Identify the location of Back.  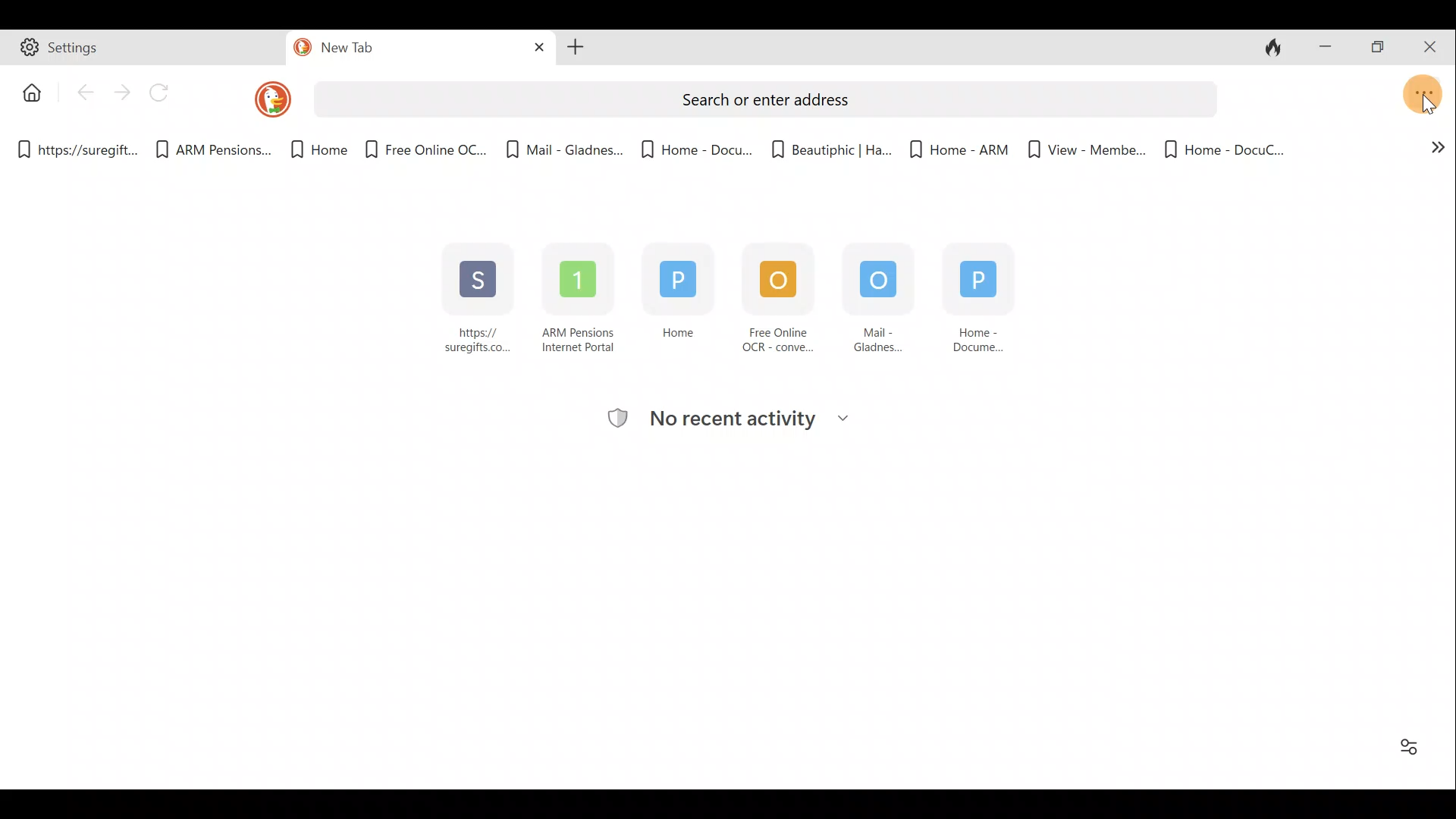
(89, 93).